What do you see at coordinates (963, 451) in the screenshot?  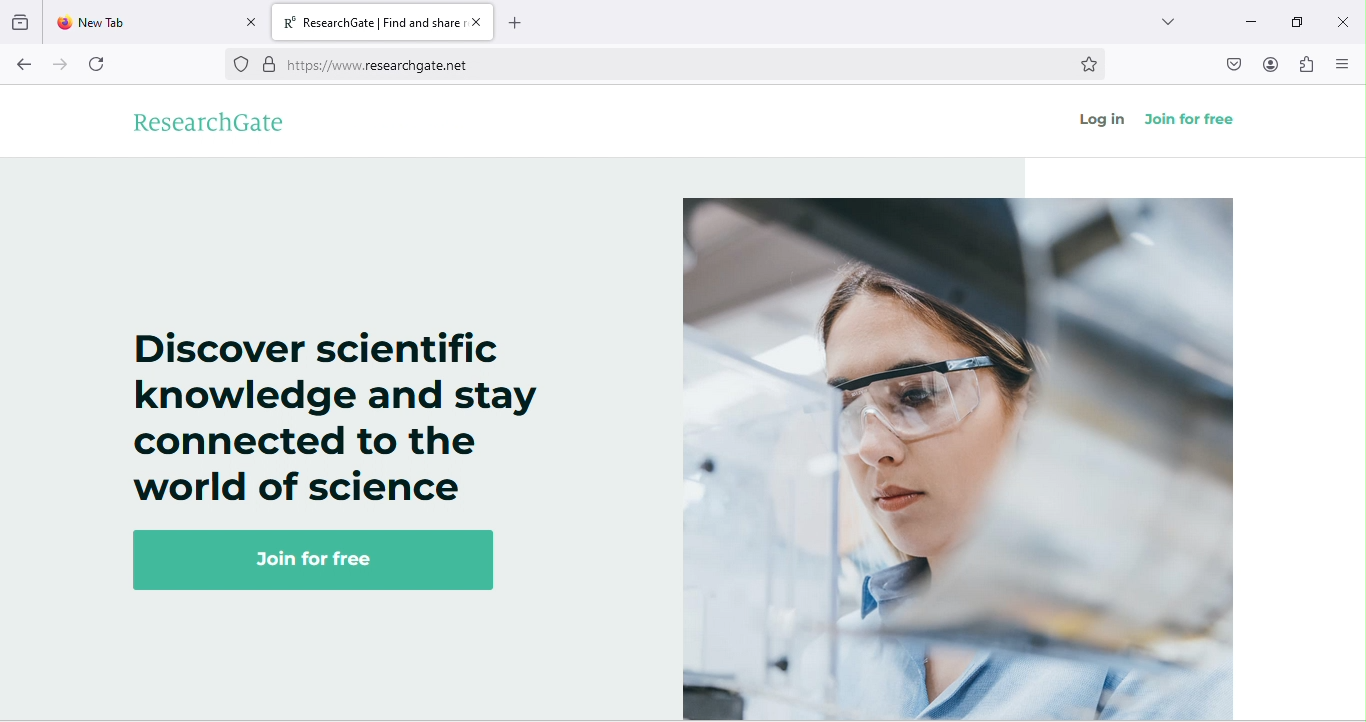 I see `image` at bounding box center [963, 451].